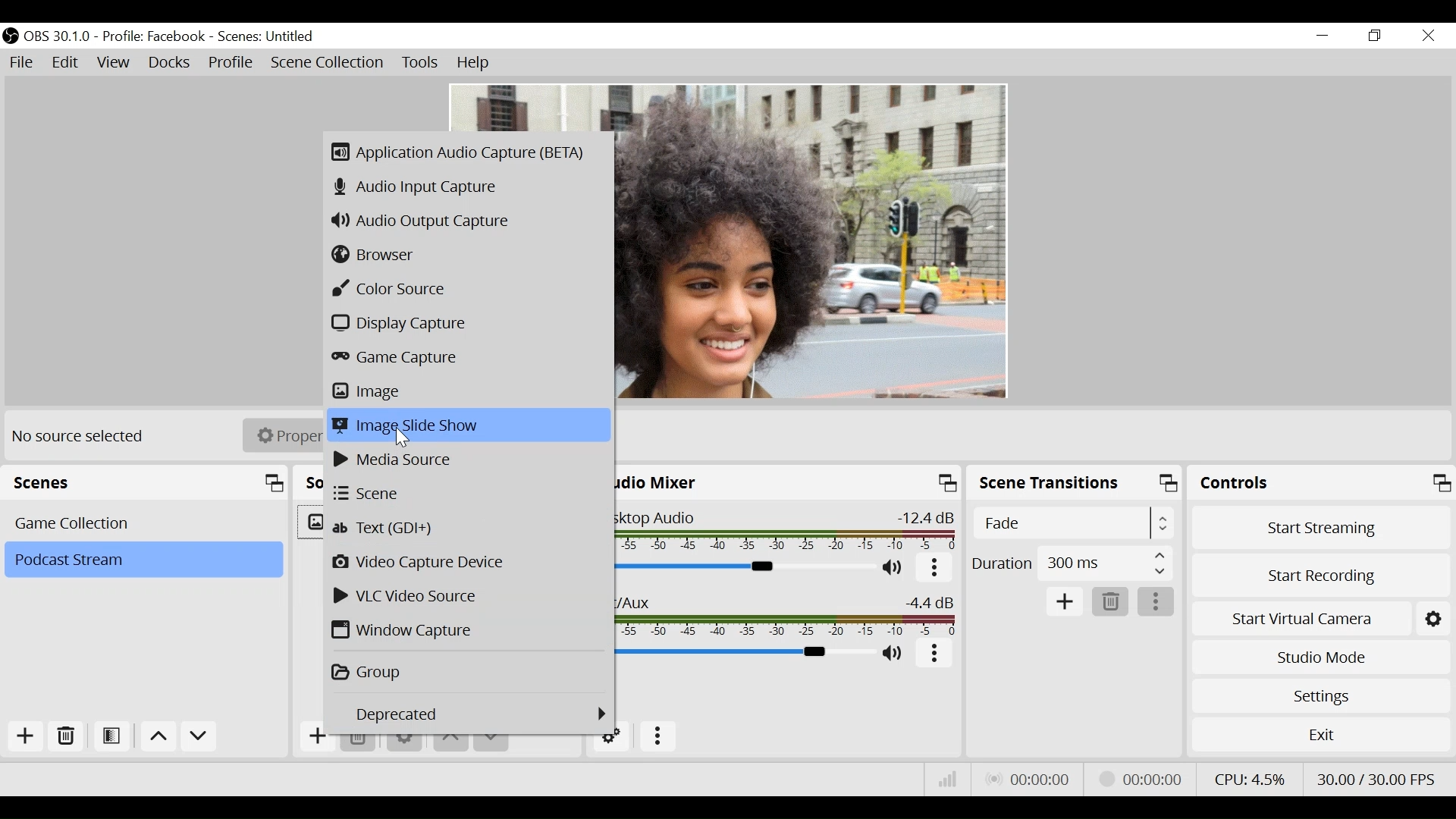 This screenshot has height=819, width=1456. I want to click on Exit, so click(1321, 738).